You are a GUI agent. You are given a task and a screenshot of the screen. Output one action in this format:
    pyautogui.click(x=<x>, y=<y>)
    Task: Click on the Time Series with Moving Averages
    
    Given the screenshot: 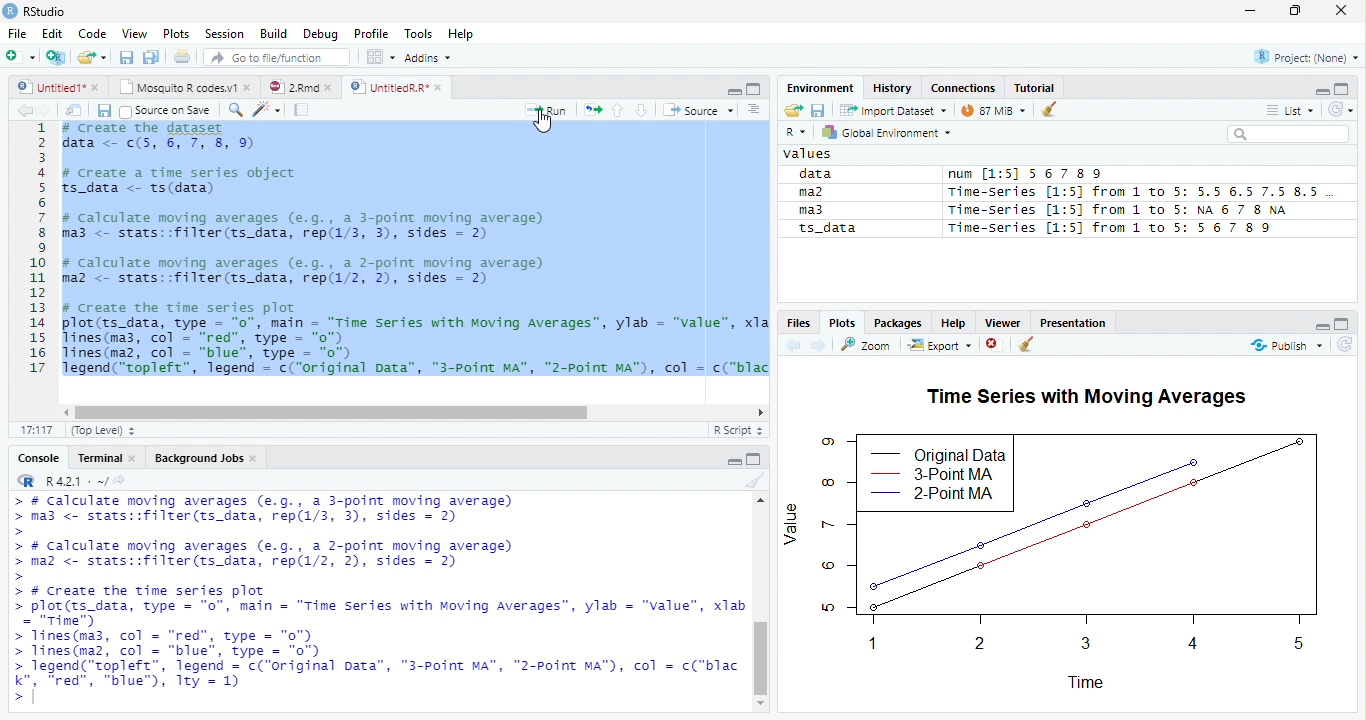 What is the action you would take?
    pyautogui.click(x=1087, y=395)
    